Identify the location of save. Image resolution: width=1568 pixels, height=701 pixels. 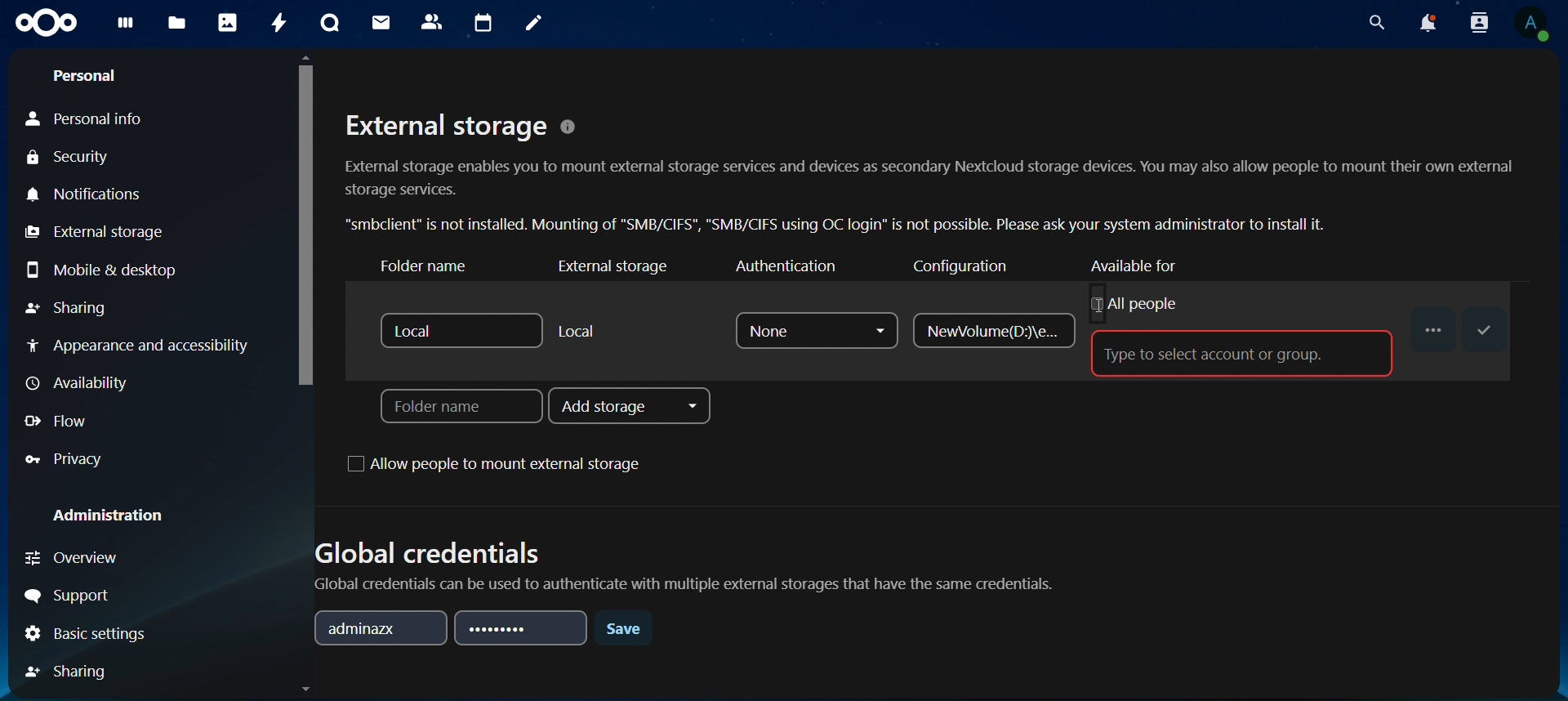
(1486, 329).